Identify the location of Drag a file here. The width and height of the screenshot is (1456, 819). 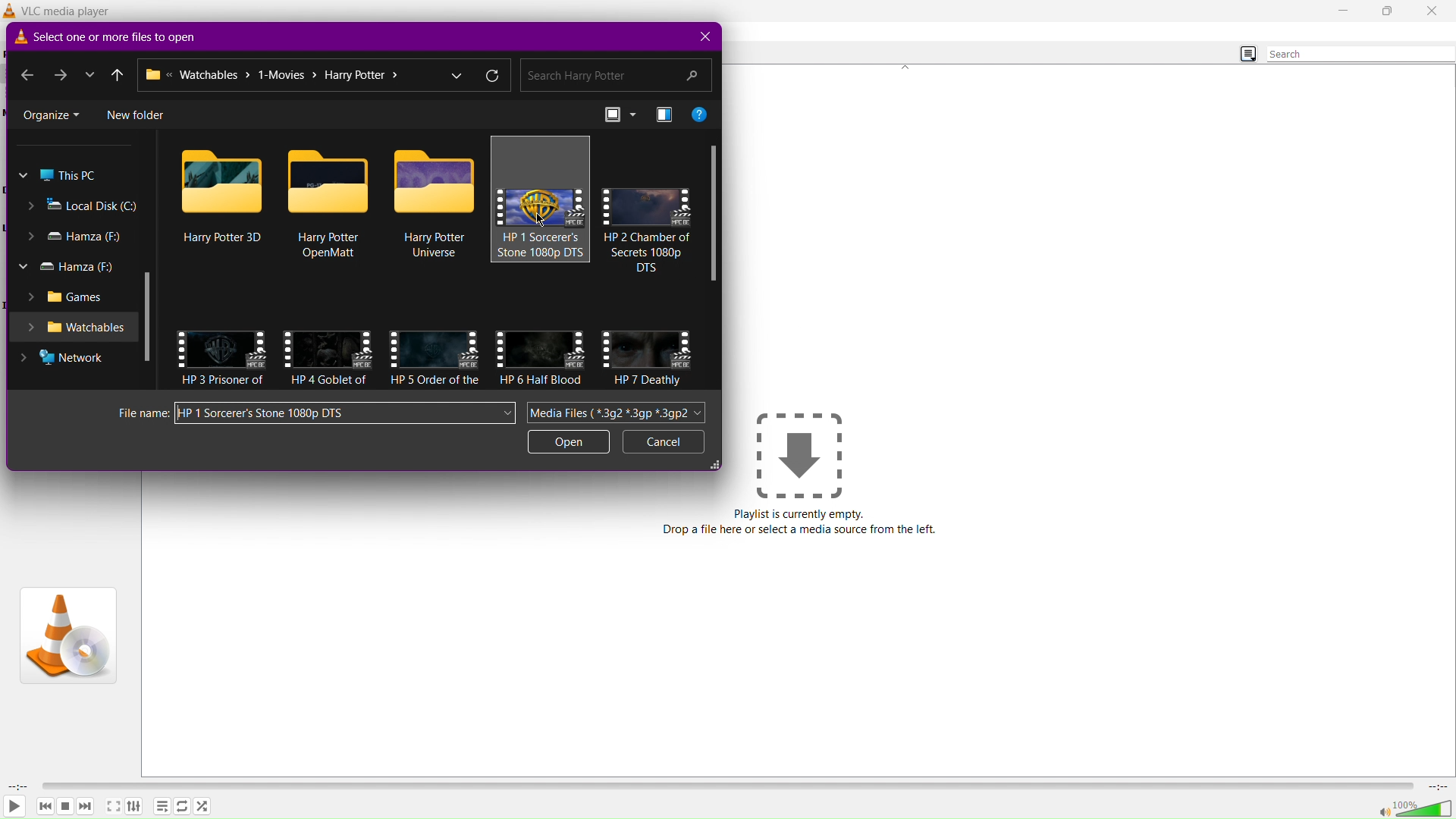
(799, 453).